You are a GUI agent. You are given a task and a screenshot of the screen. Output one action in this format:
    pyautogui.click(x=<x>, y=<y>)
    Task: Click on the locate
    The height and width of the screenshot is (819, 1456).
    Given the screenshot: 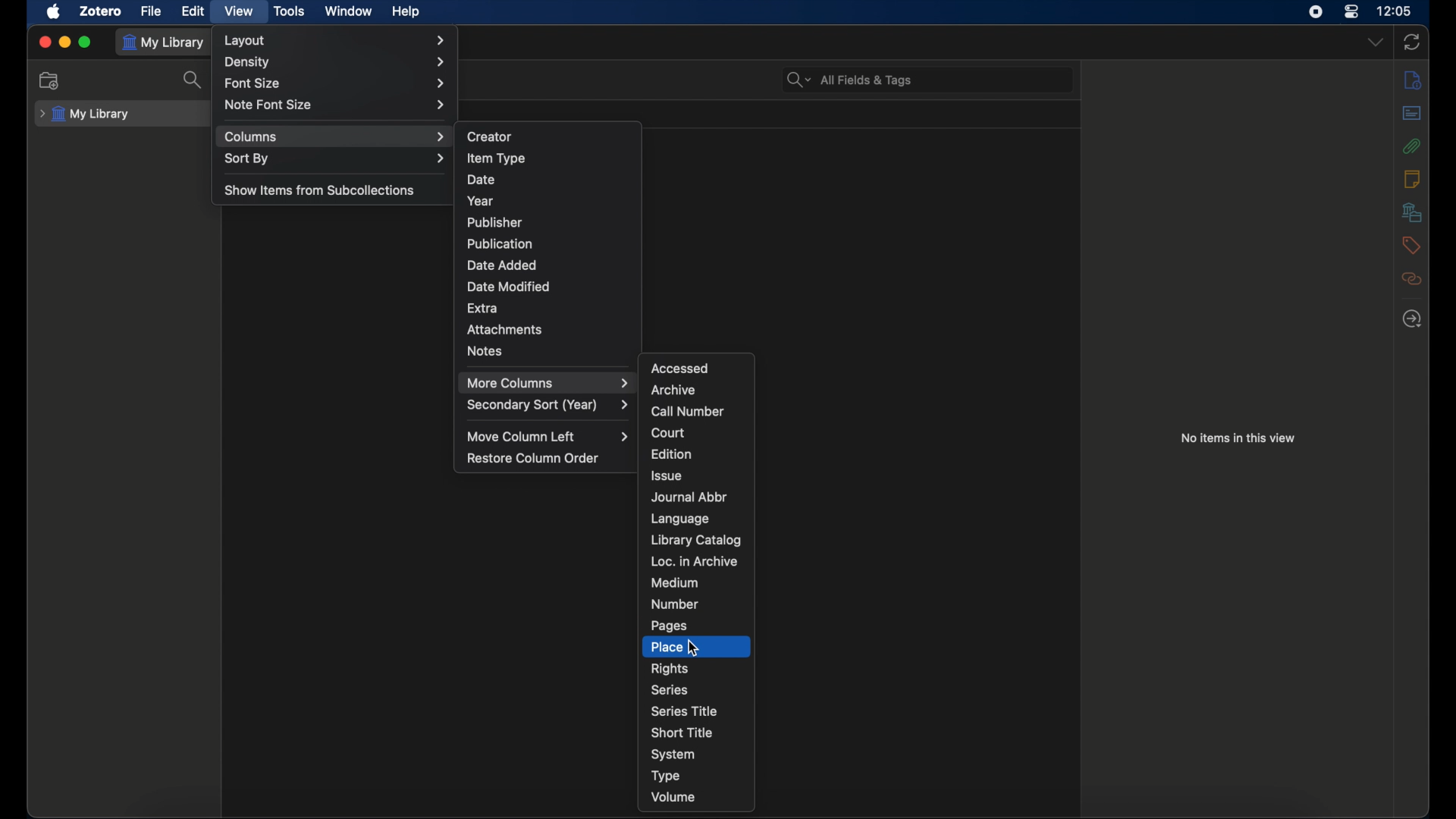 What is the action you would take?
    pyautogui.click(x=1411, y=320)
    